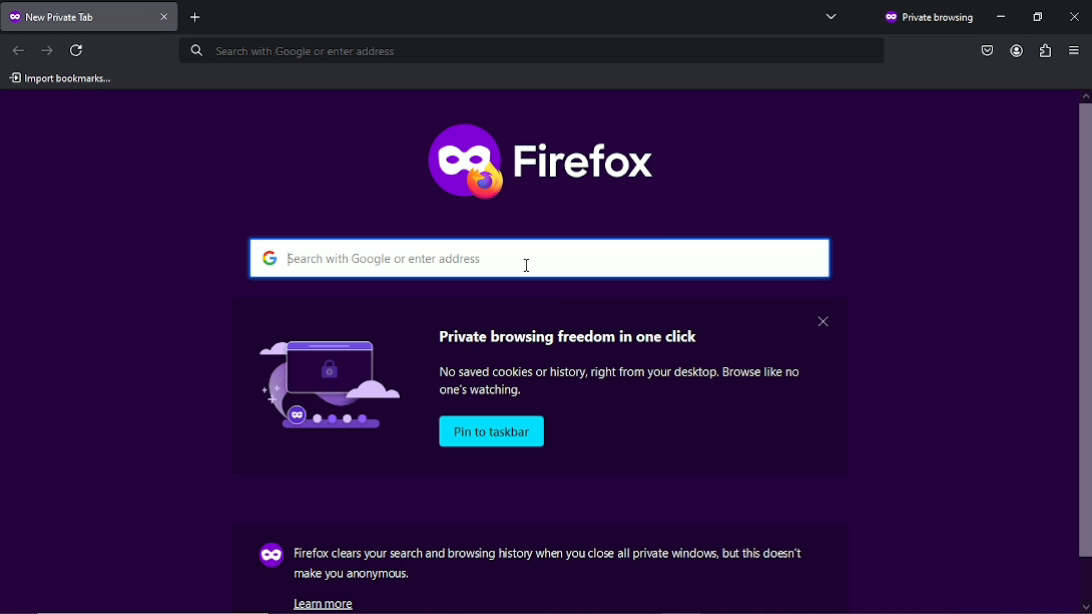  I want to click on minimize, so click(1003, 17).